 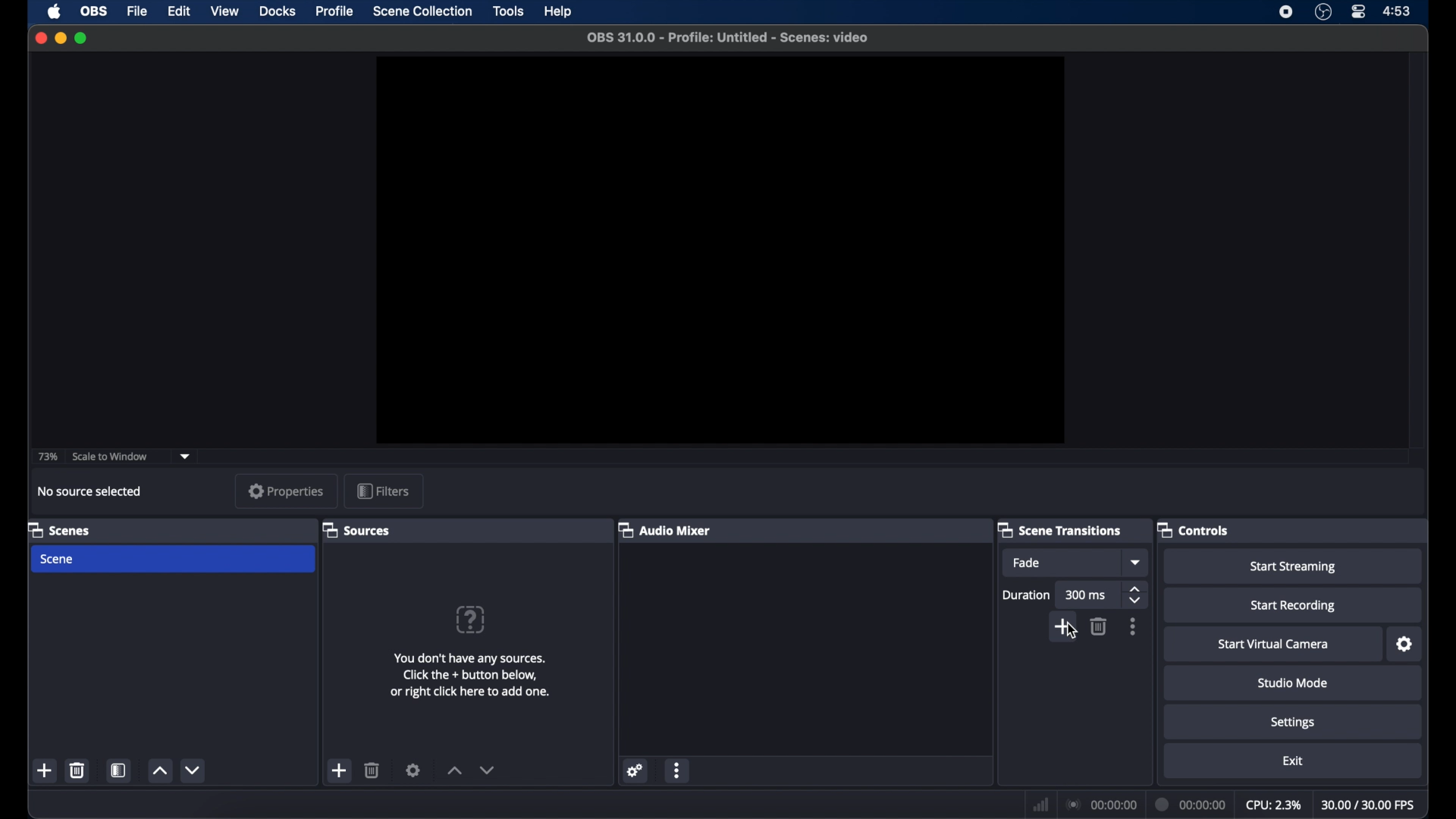 What do you see at coordinates (45, 771) in the screenshot?
I see `add` at bounding box center [45, 771].